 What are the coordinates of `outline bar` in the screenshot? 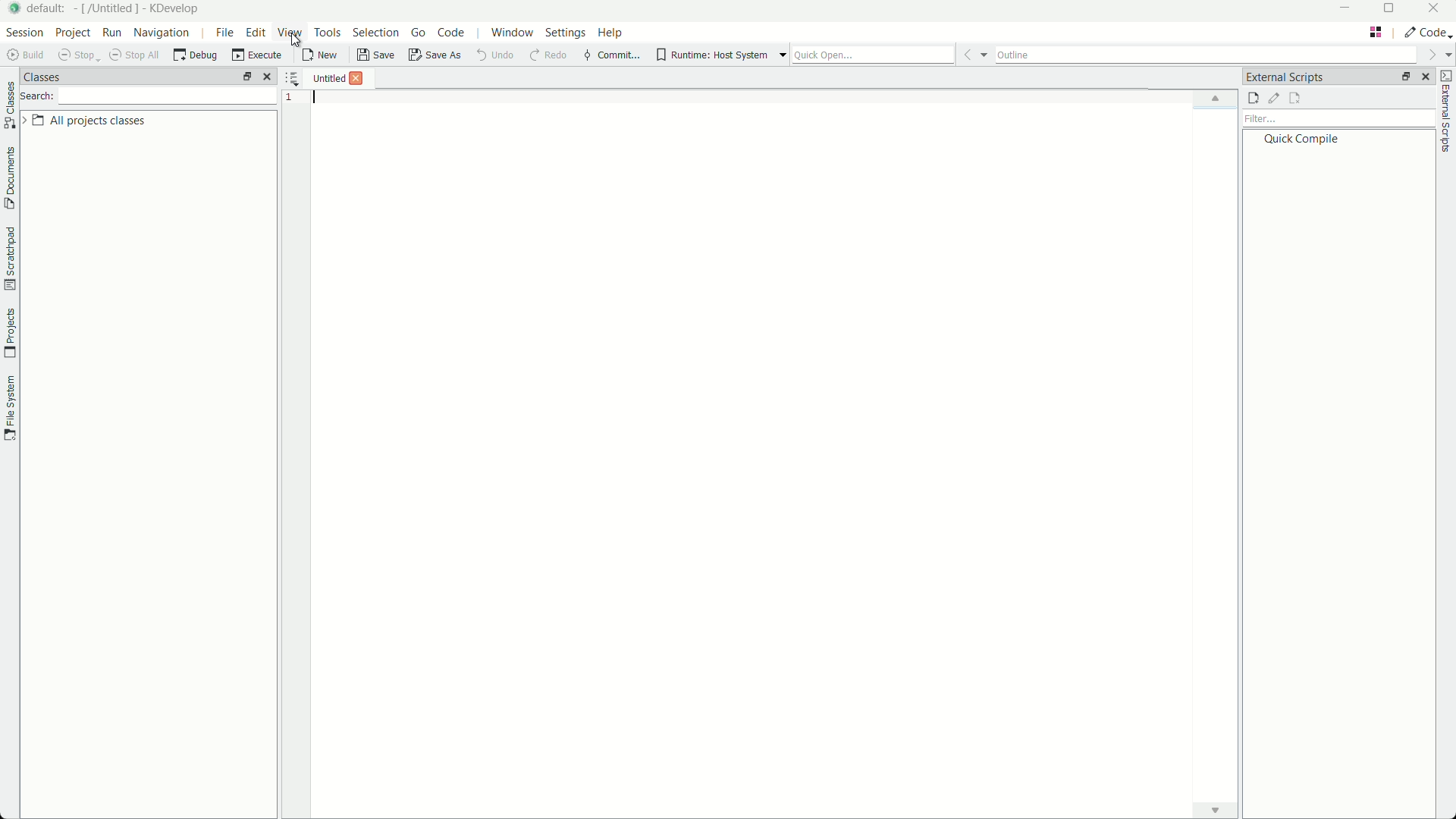 It's located at (1222, 55).